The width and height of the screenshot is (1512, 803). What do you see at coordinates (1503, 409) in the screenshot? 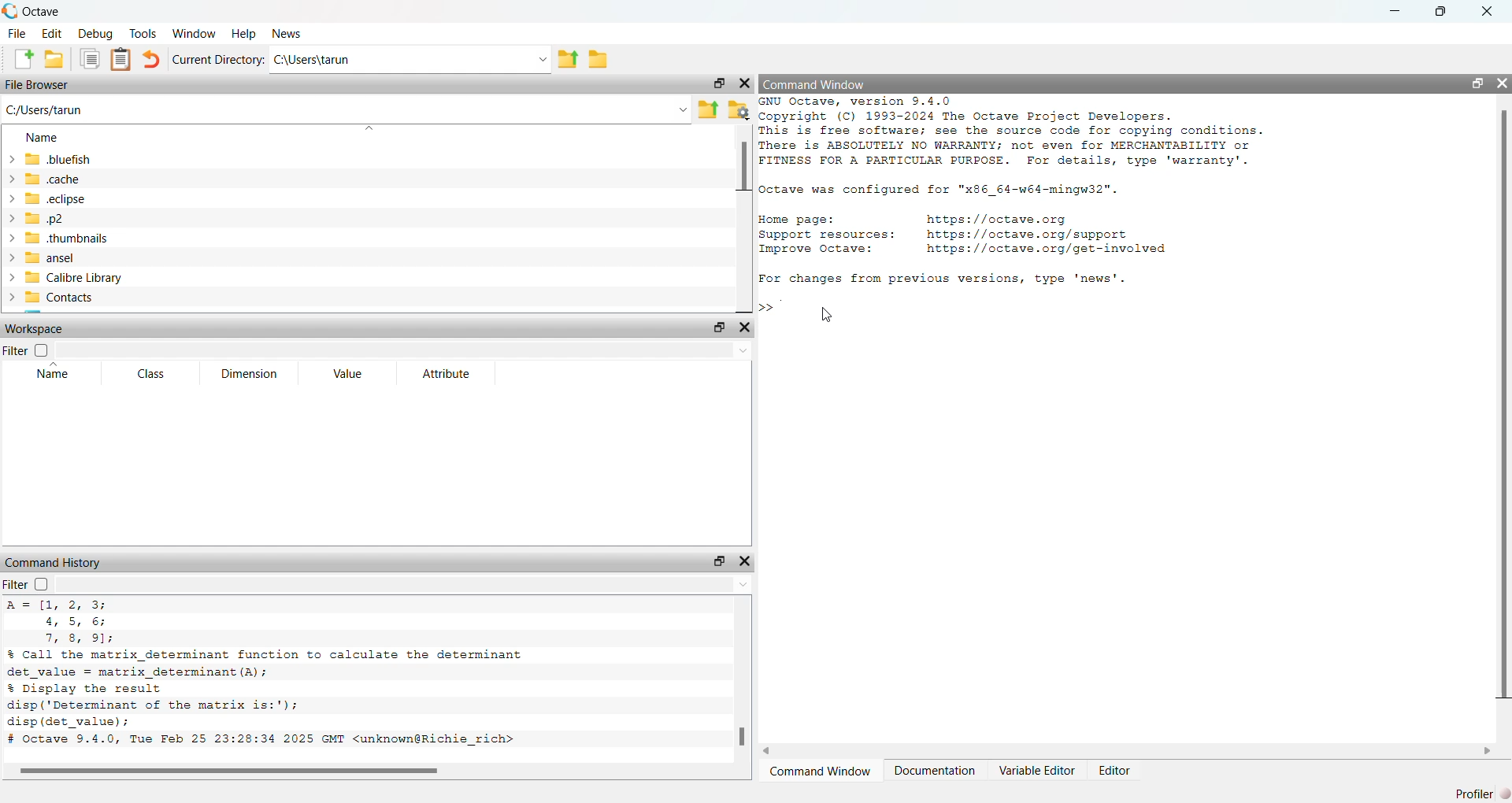
I see `scrollbar` at bounding box center [1503, 409].